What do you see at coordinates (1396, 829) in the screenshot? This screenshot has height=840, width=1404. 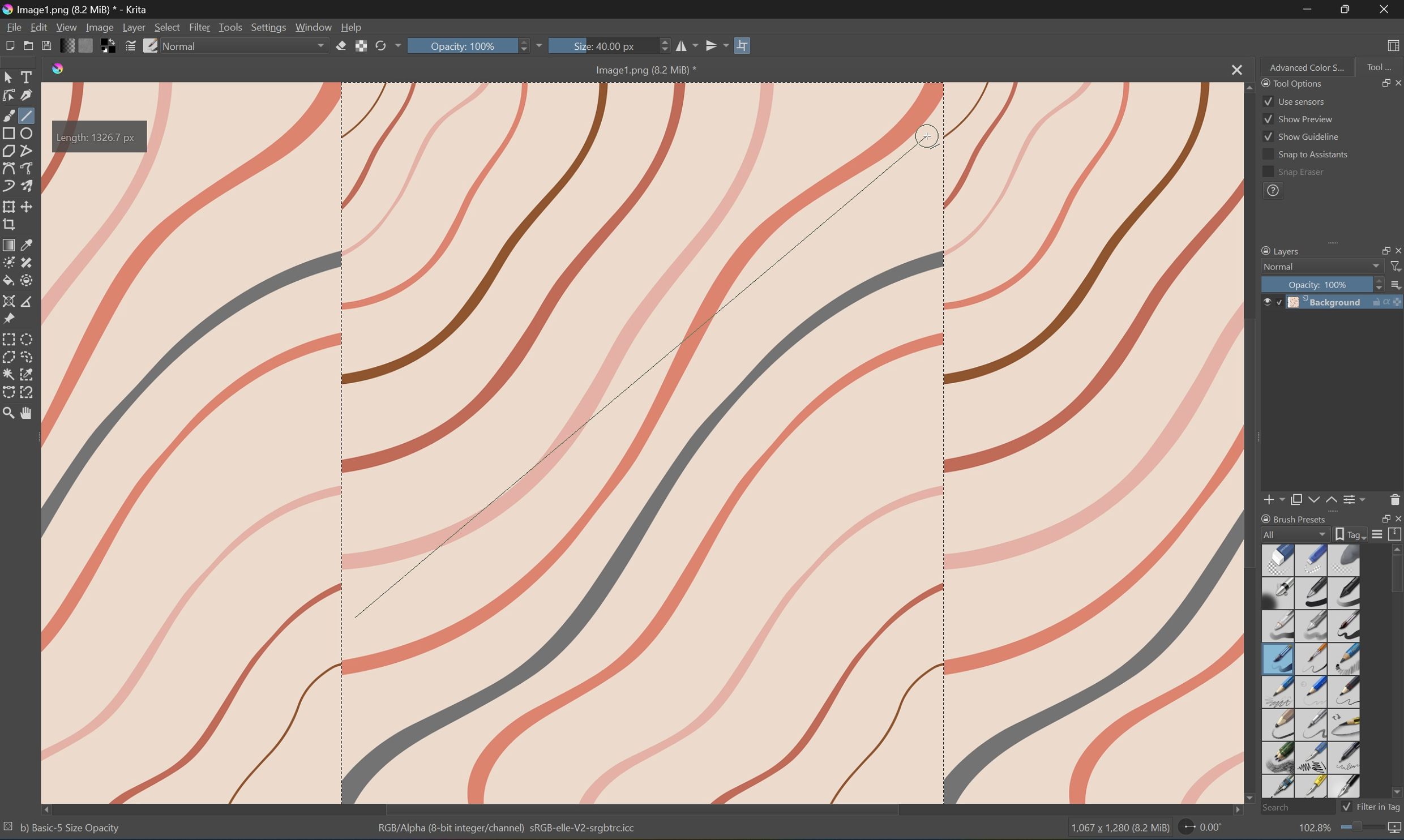 I see `Map the displayed canvas size between pixel size or print size` at bounding box center [1396, 829].